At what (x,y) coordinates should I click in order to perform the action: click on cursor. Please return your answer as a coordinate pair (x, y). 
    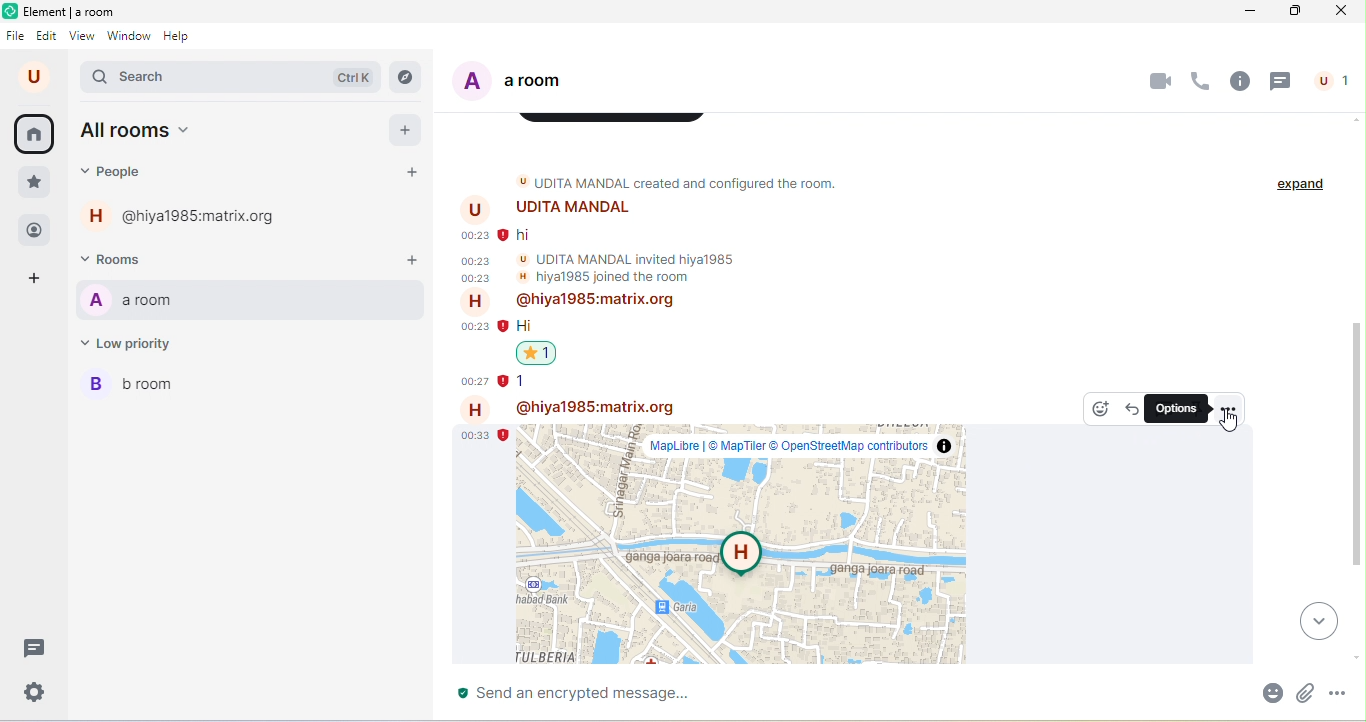
    Looking at the image, I should click on (1230, 422).